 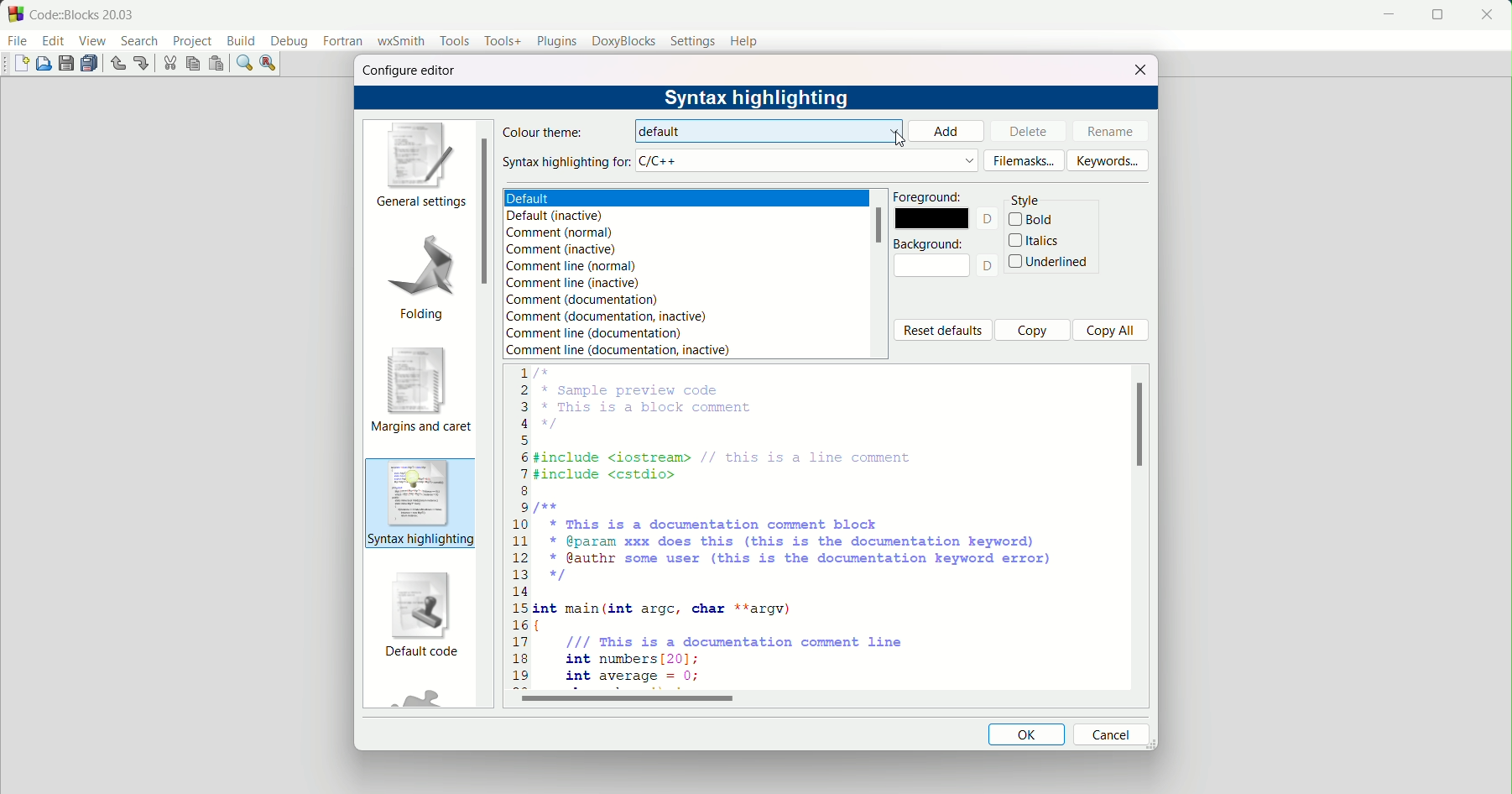 I want to click on edit, so click(x=54, y=41).